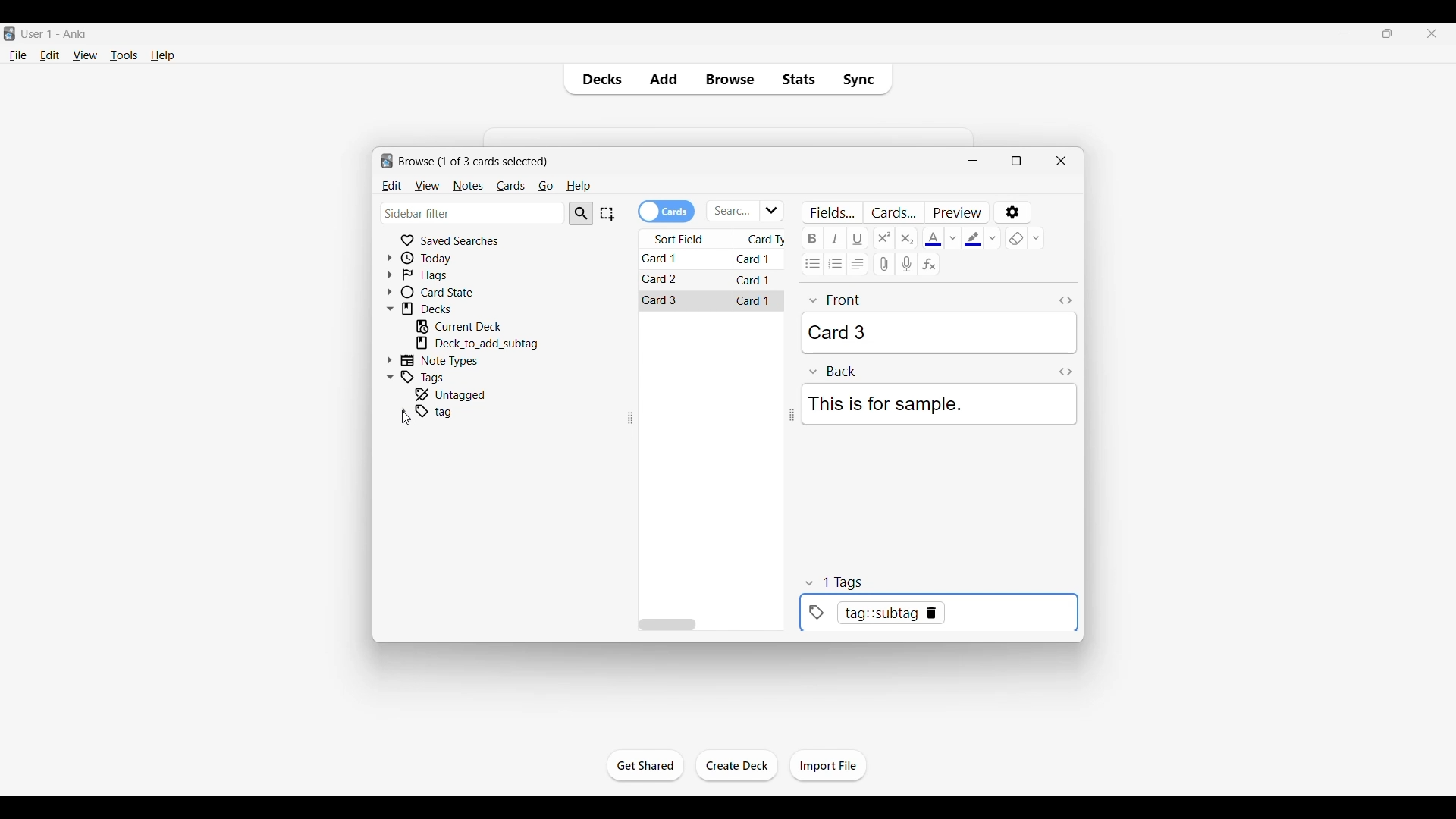 This screenshot has width=1456, height=819. Describe the element at coordinates (162, 55) in the screenshot. I see `Help menu` at that location.